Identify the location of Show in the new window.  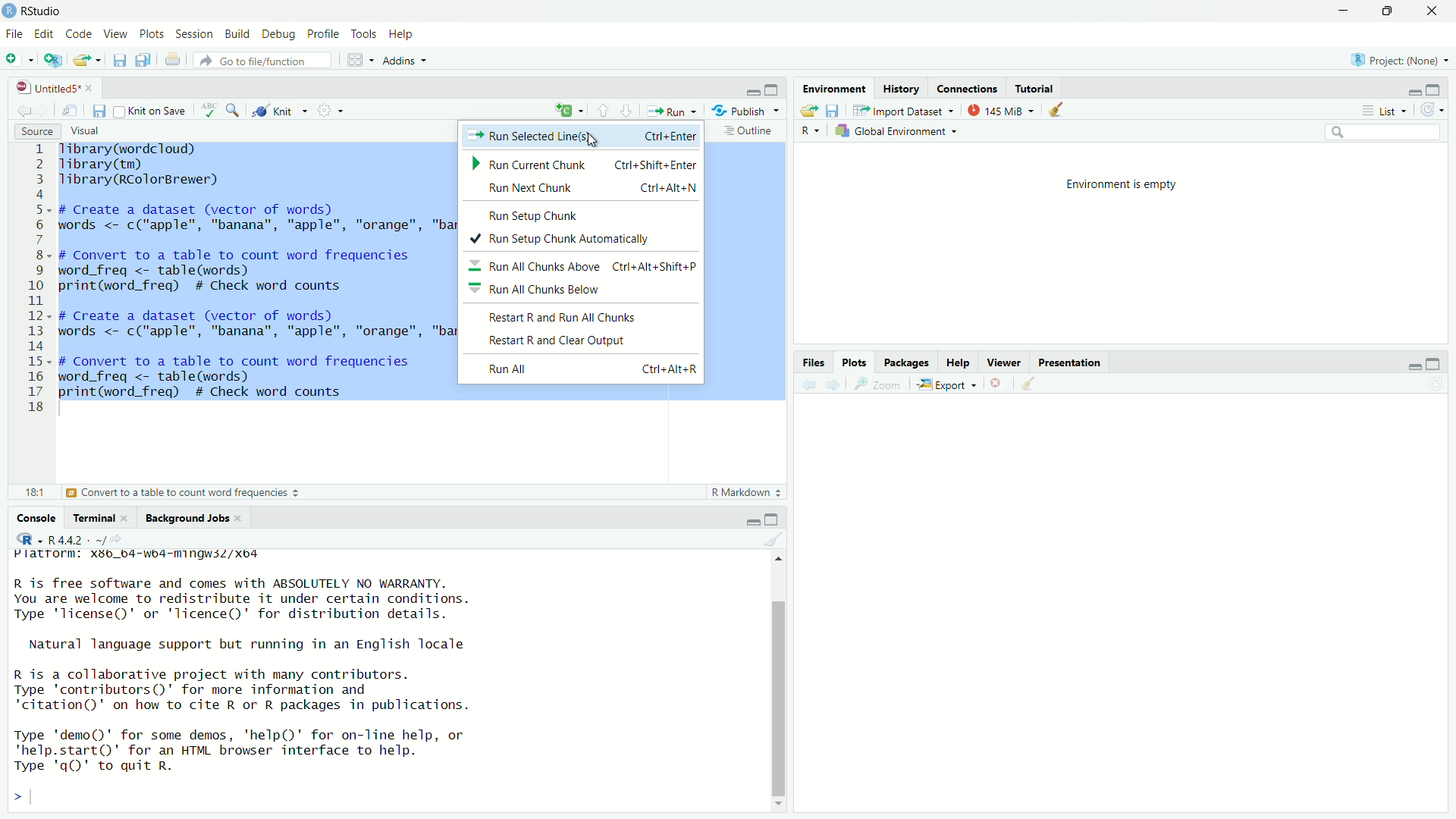
(68, 111).